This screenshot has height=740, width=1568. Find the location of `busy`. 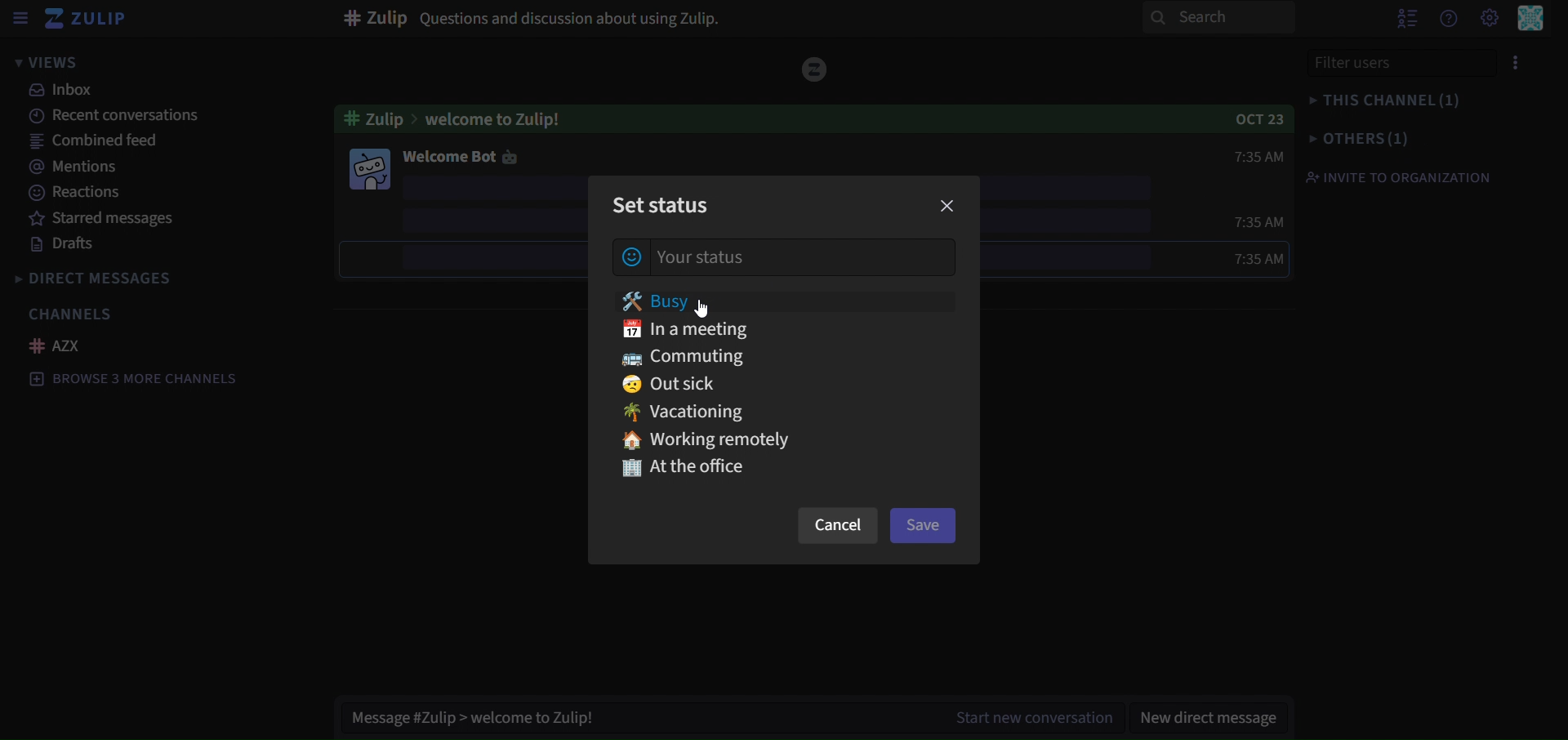

busy is located at coordinates (661, 301).